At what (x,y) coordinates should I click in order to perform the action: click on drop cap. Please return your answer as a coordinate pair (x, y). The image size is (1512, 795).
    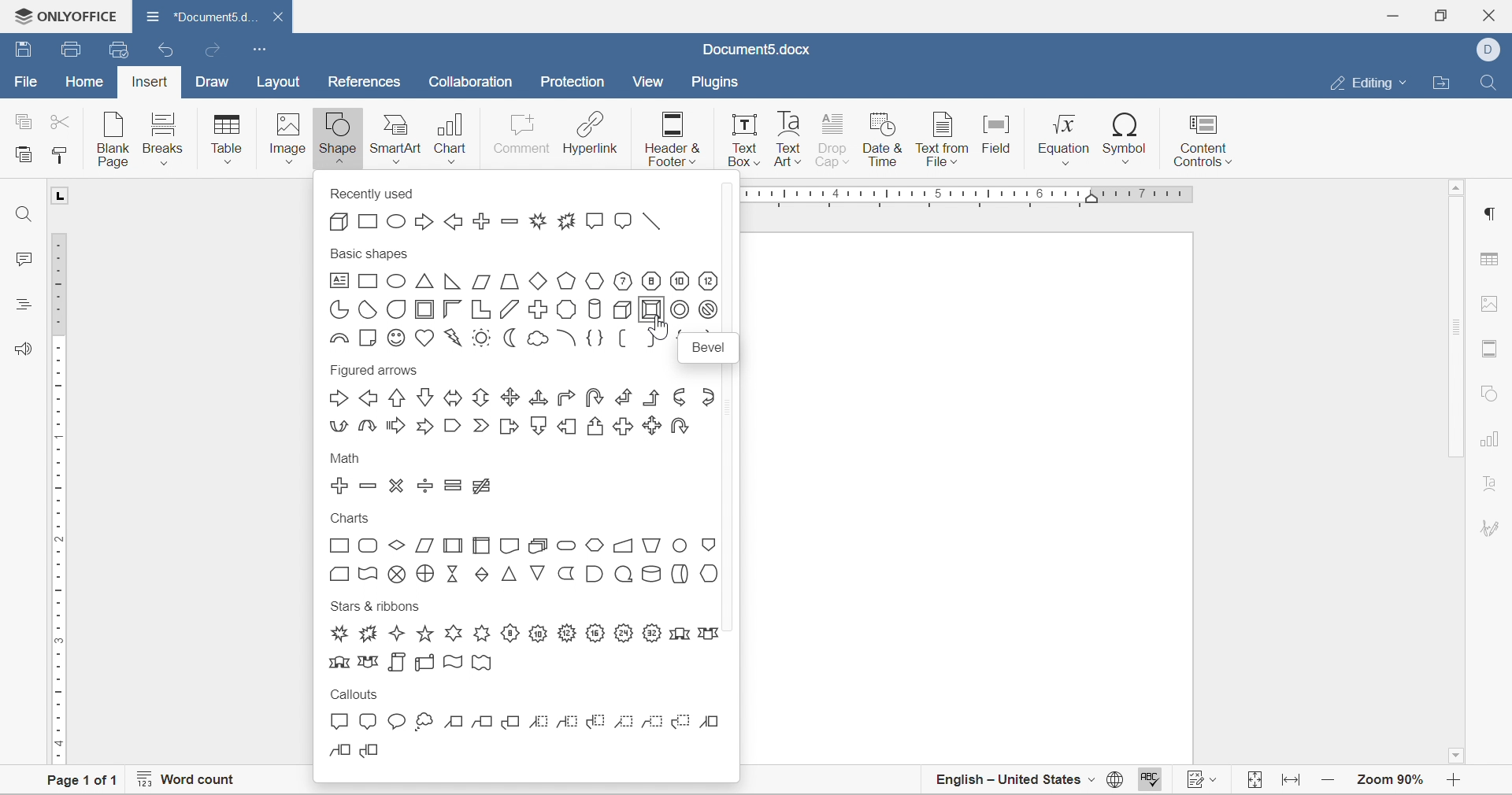
    Looking at the image, I should click on (834, 141).